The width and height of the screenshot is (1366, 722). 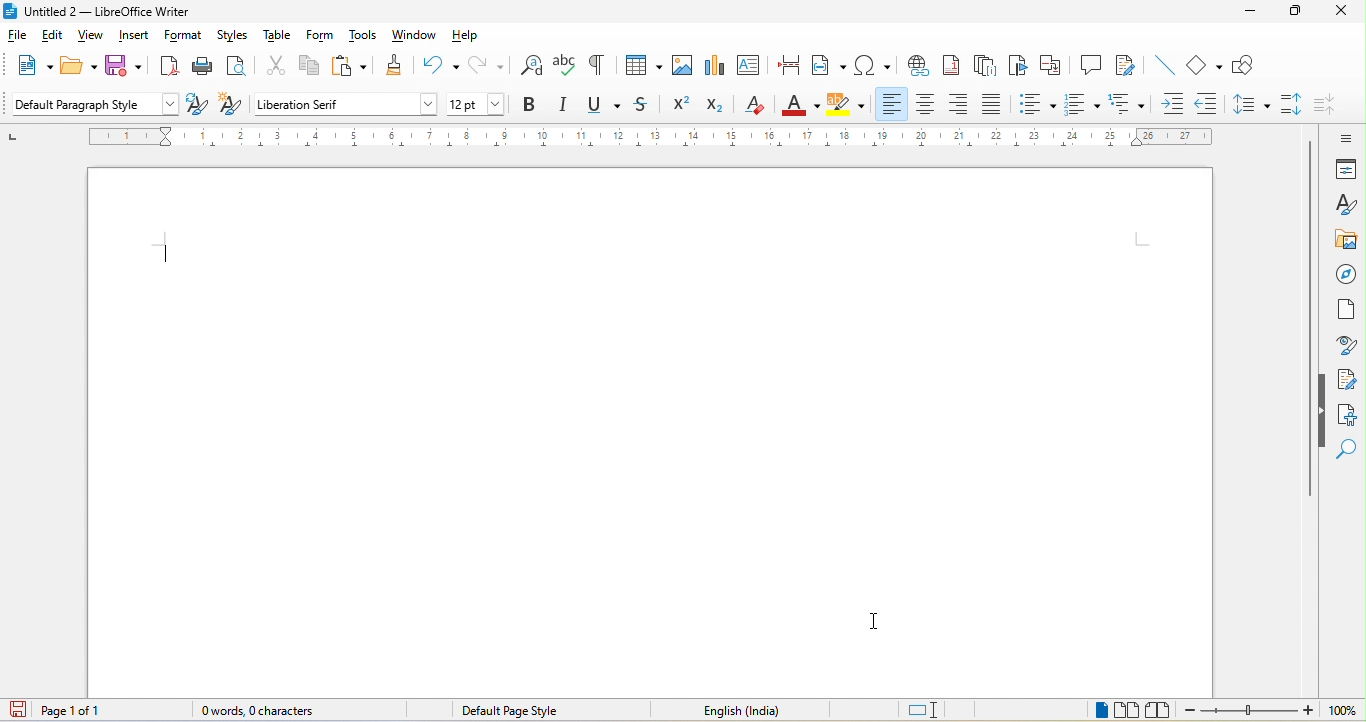 What do you see at coordinates (126, 67) in the screenshot?
I see `save` at bounding box center [126, 67].